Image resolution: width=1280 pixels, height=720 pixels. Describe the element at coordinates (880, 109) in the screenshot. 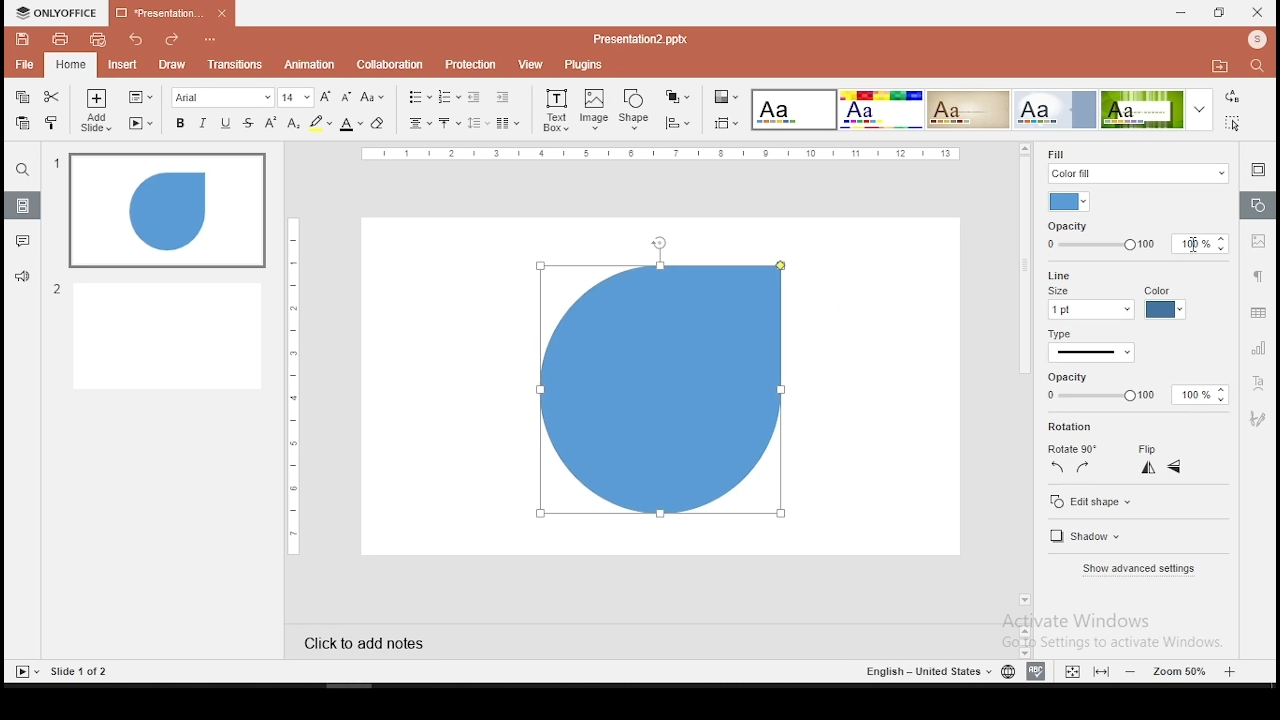

I see `theme` at that location.